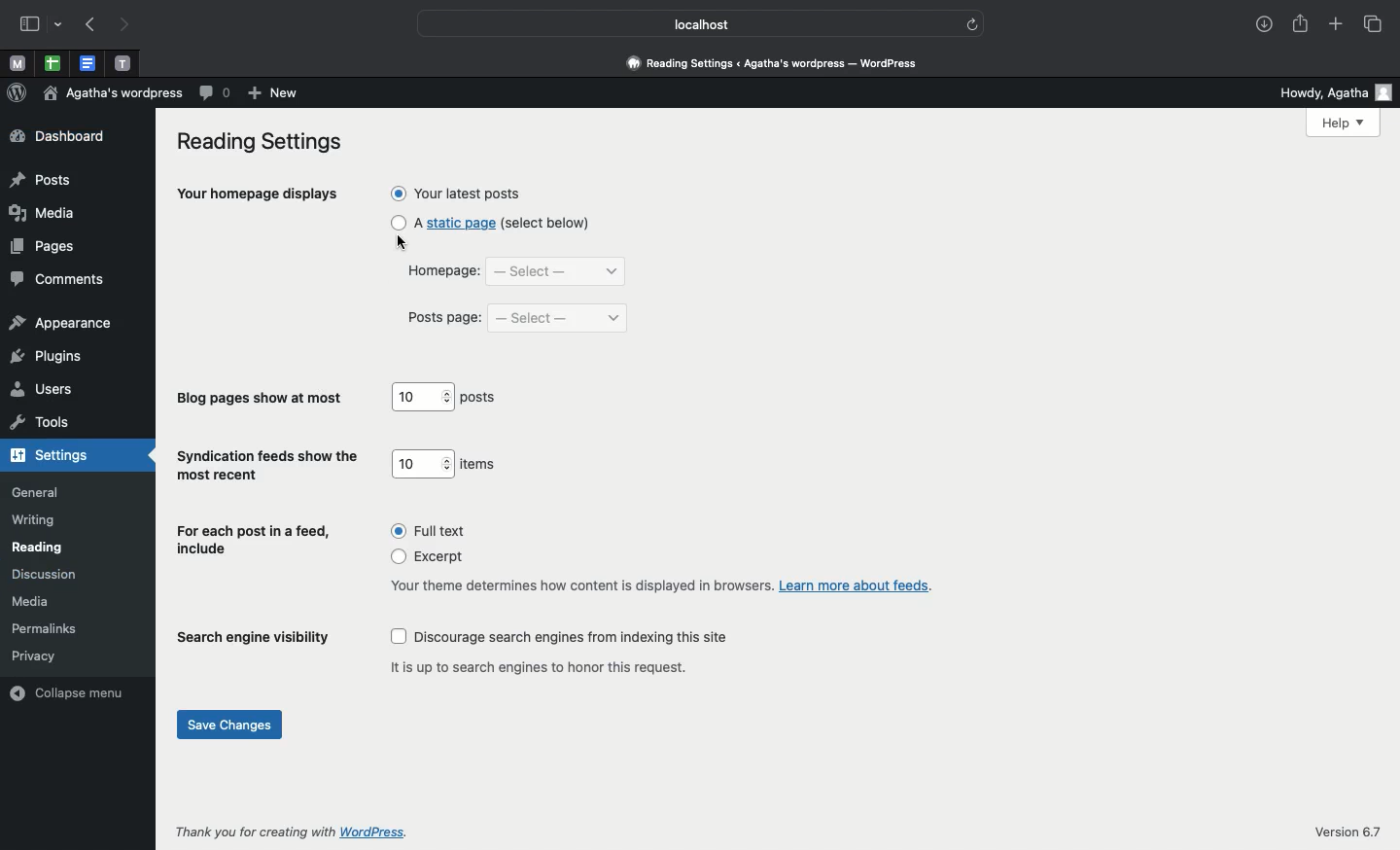  I want to click on posts, so click(41, 182).